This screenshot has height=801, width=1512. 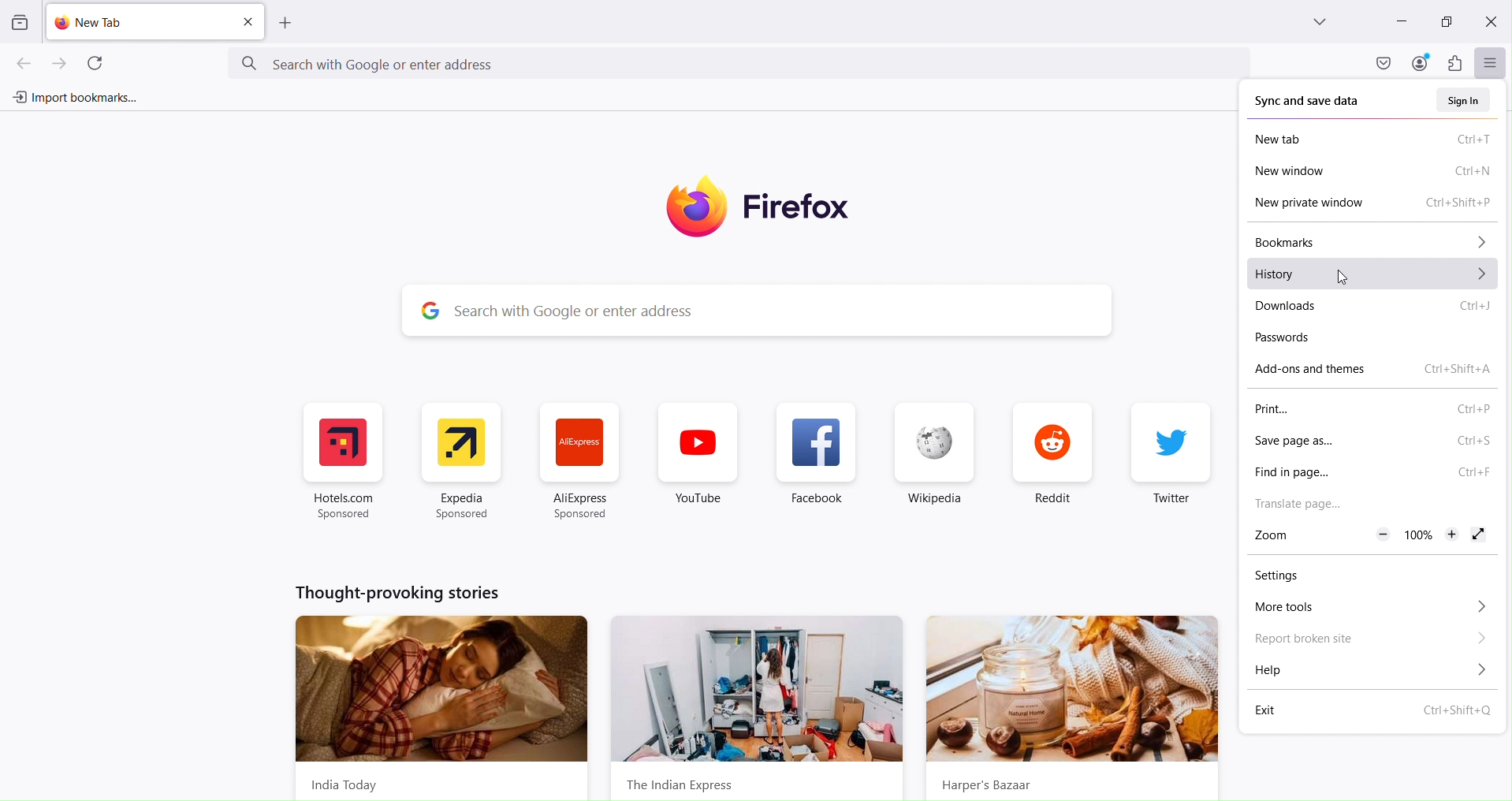 What do you see at coordinates (1491, 20) in the screenshot?
I see `Close` at bounding box center [1491, 20].